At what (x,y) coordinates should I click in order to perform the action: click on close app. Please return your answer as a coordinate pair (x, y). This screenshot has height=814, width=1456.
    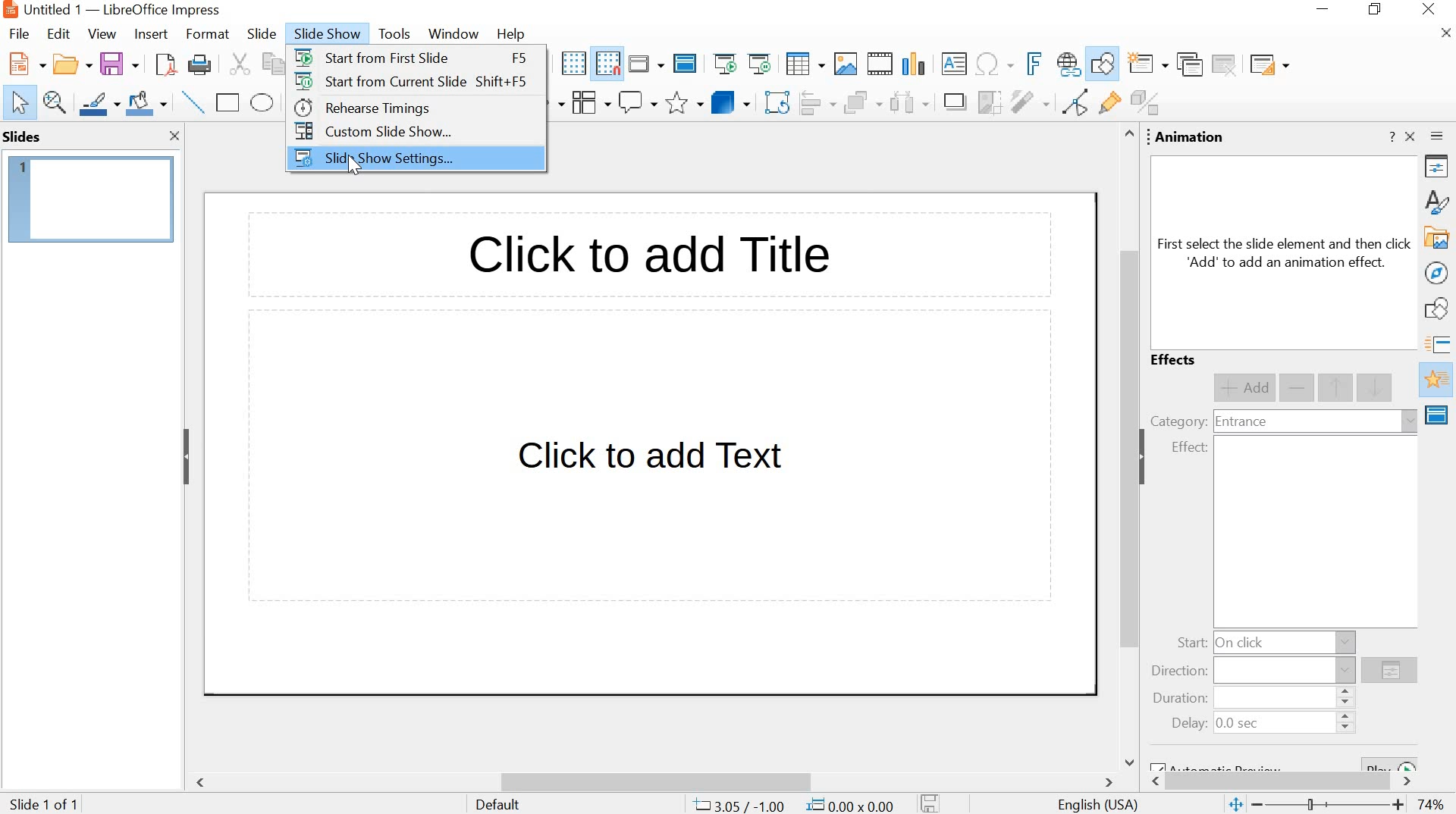
    Looking at the image, I should click on (1430, 11).